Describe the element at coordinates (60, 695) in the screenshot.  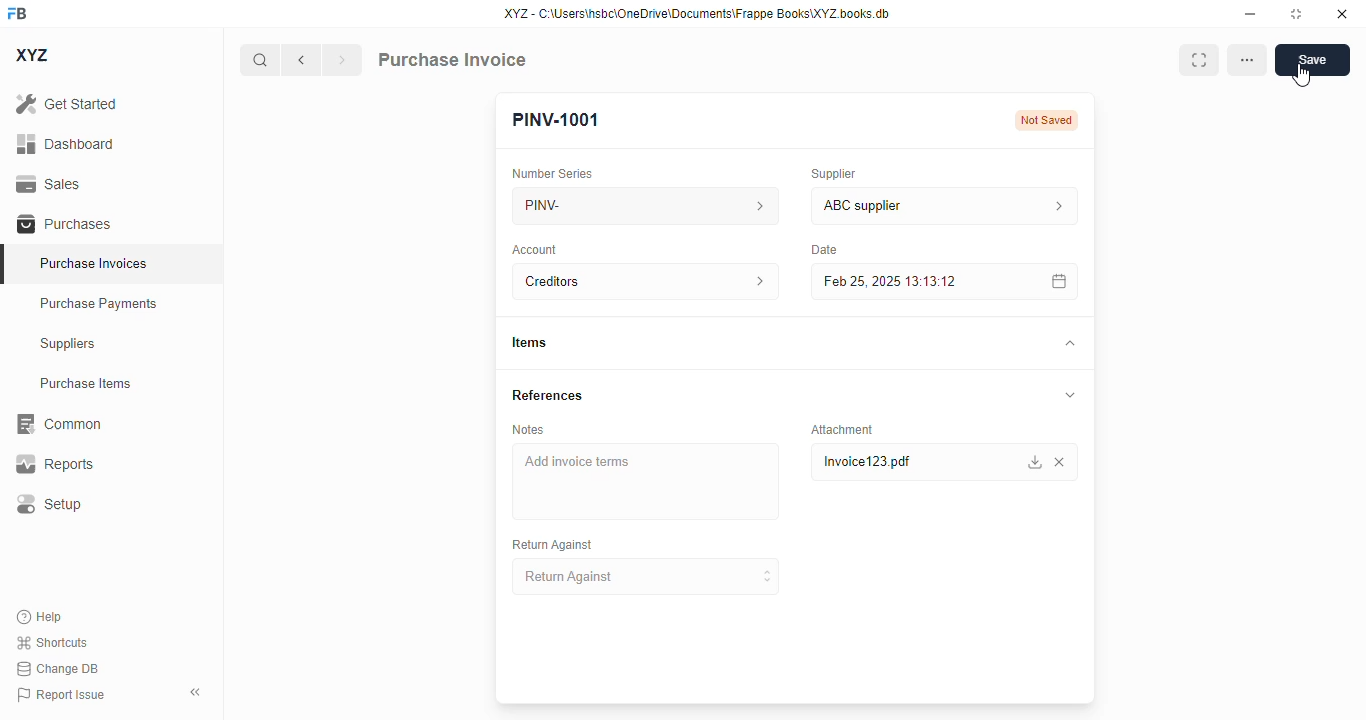
I see `report issue` at that location.